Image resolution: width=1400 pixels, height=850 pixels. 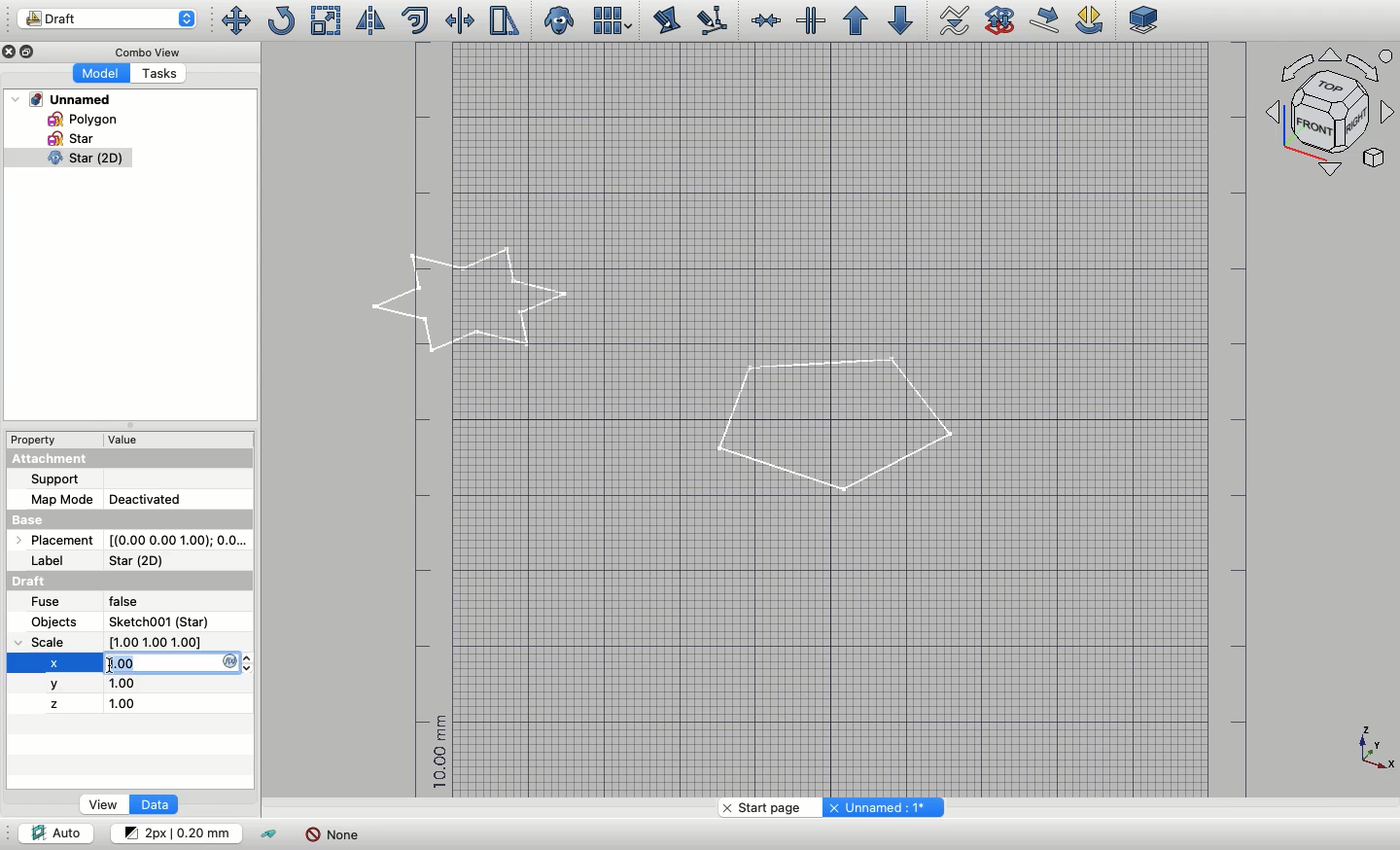 What do you see at coordinates (270, 835) in the screenshot?
I see `Toggle construction mode` at bounding box center [270, 835].